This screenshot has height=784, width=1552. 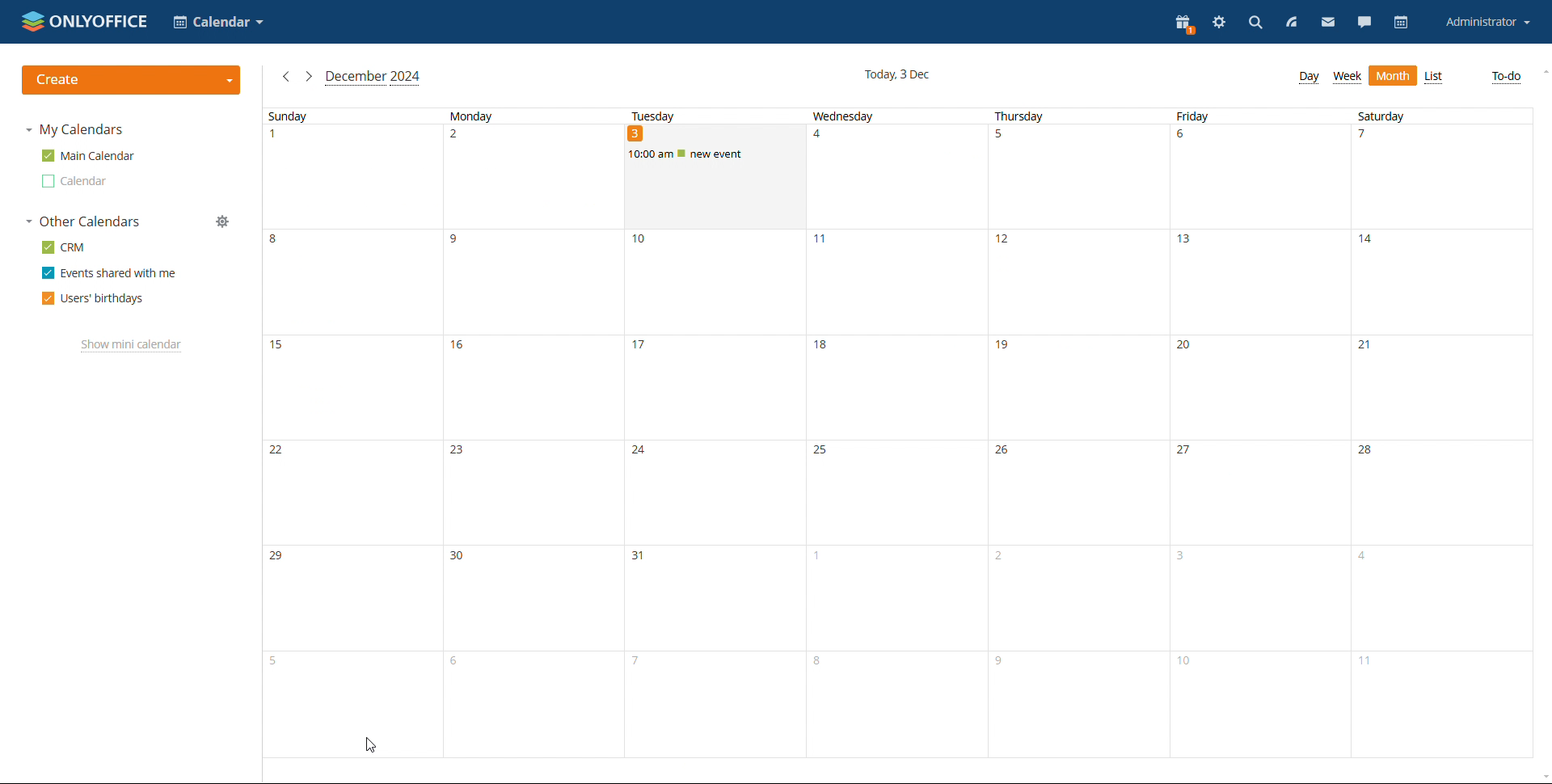 What do you see at coordinates (353, 492) in the screenshot?
I see `22` at bounding box center [353, 492].